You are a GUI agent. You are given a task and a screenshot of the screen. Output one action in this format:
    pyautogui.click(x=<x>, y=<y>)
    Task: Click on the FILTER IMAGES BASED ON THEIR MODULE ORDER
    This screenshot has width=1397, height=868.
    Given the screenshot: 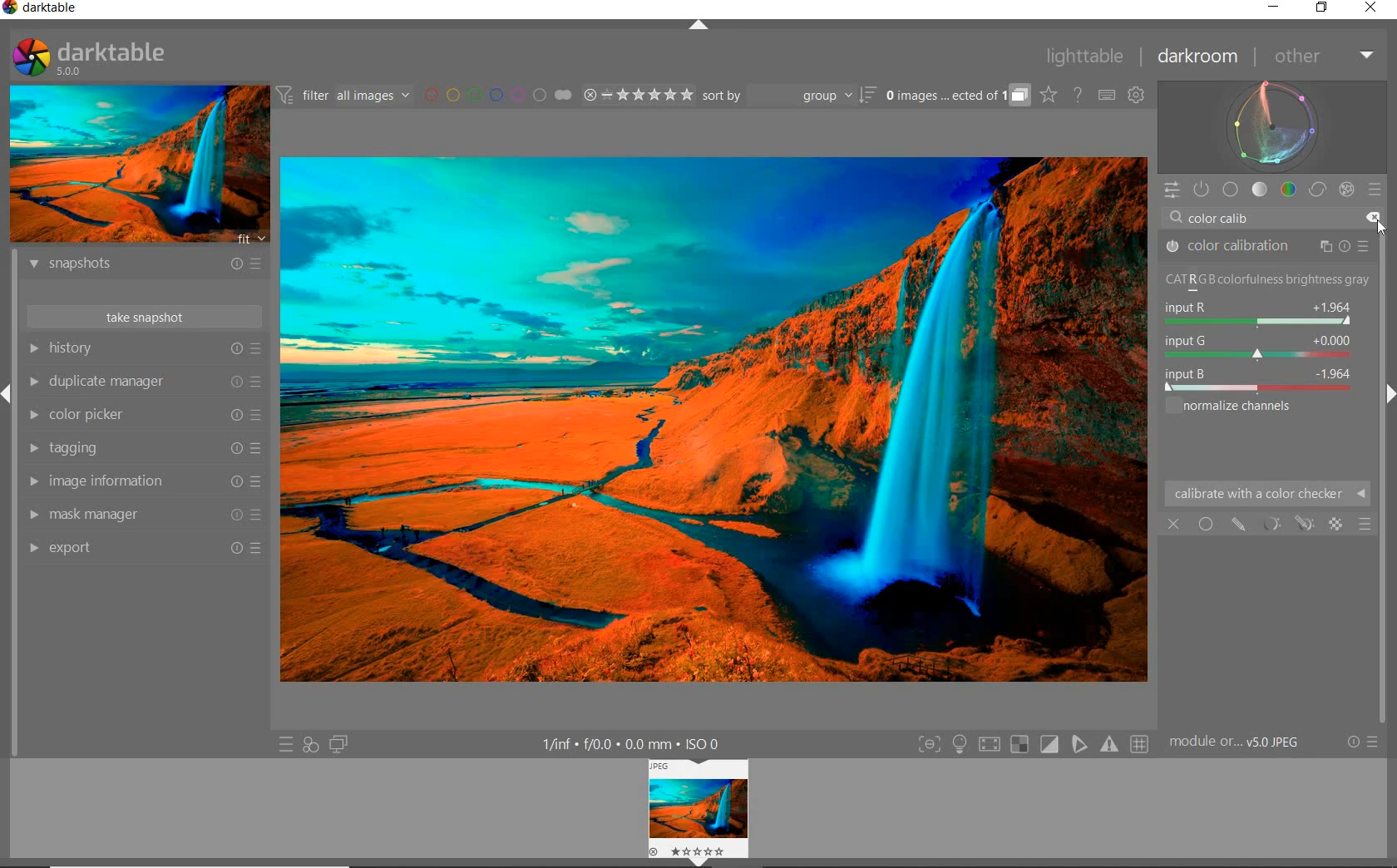 What is the action you would take?
    pyautogui.click(x=343, y=96)
    